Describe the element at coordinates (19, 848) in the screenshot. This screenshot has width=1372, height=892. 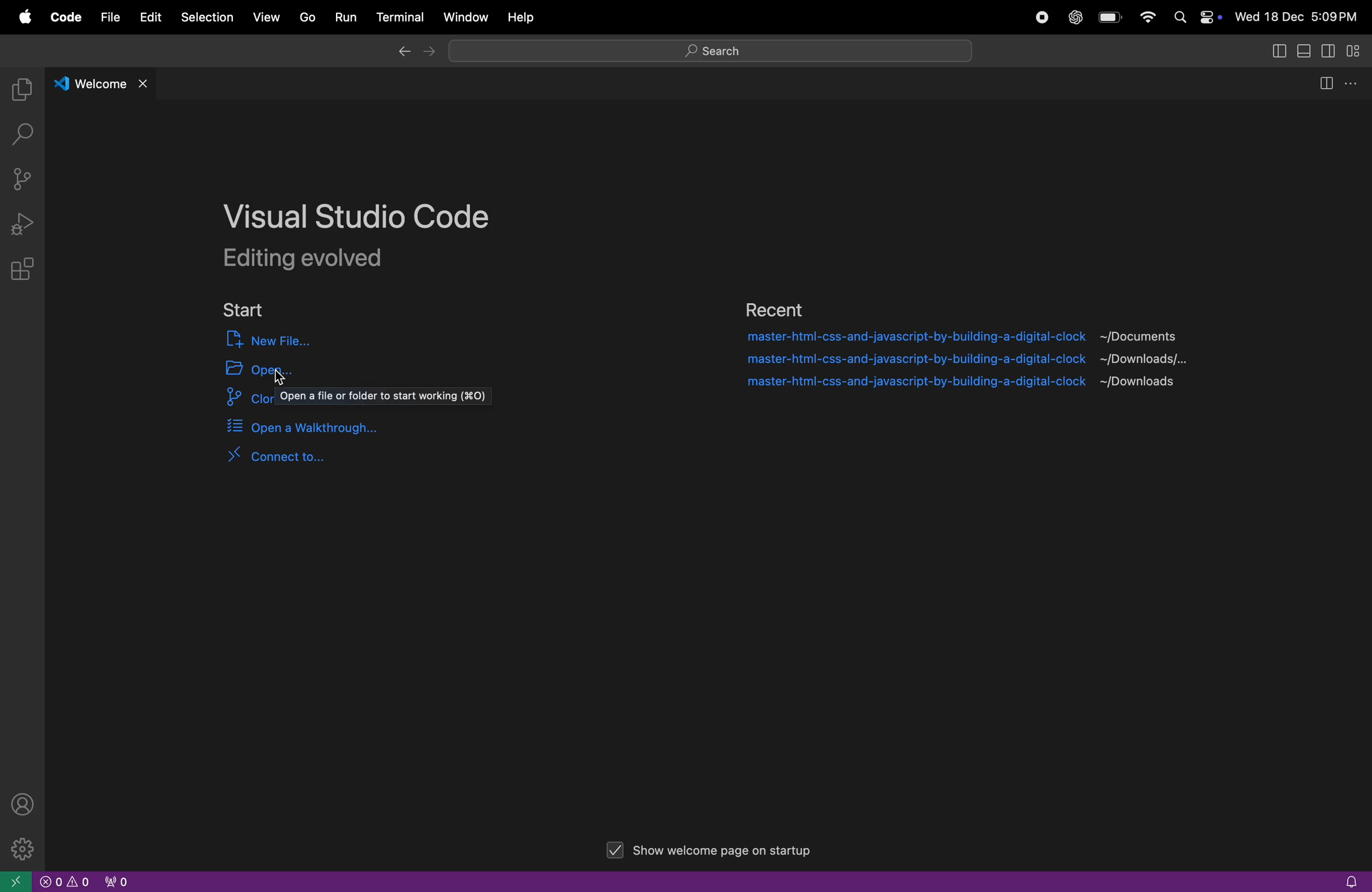
I see `settings` at that location.